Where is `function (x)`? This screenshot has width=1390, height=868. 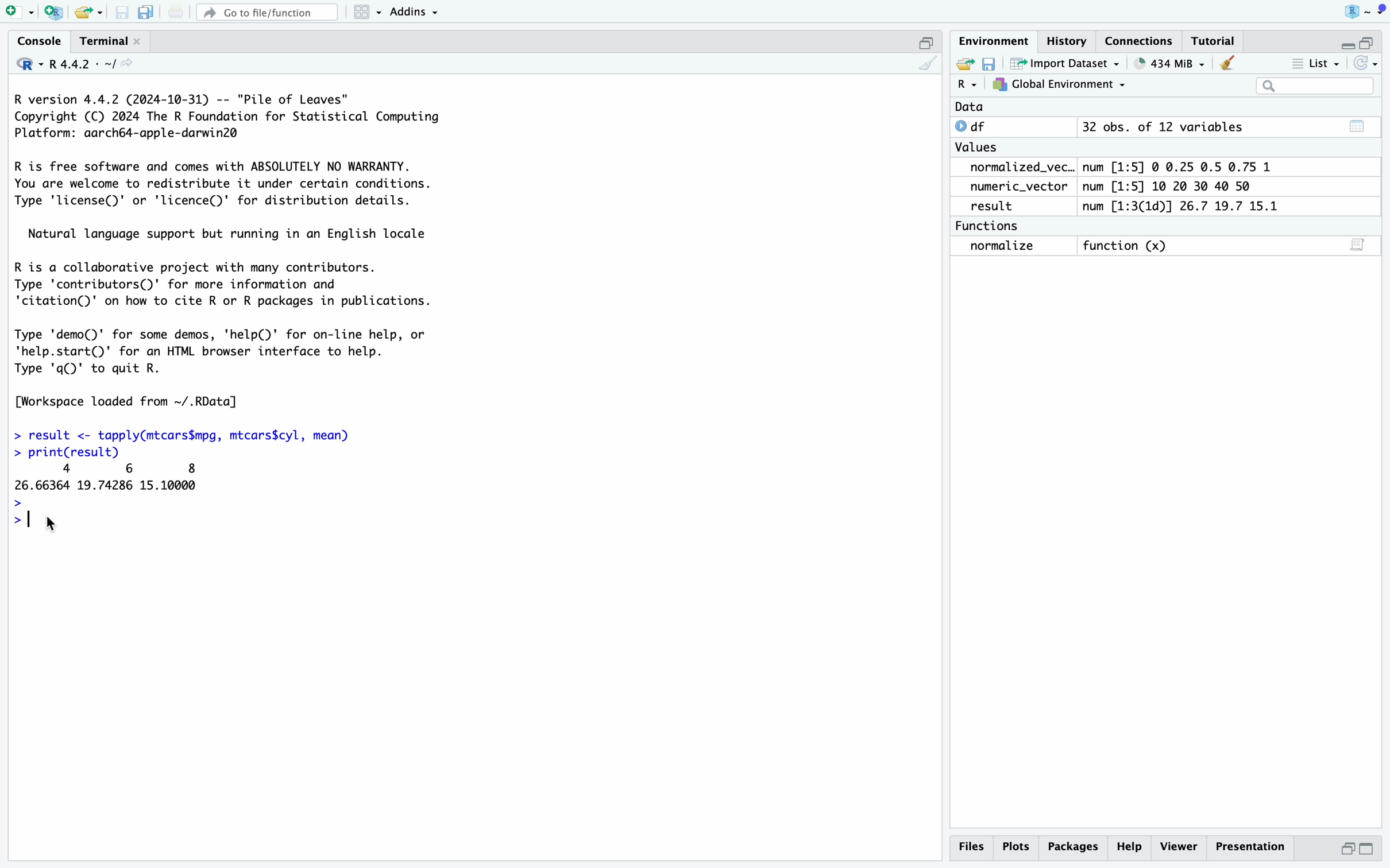
function (x) is located at coordinates (1128, 246).